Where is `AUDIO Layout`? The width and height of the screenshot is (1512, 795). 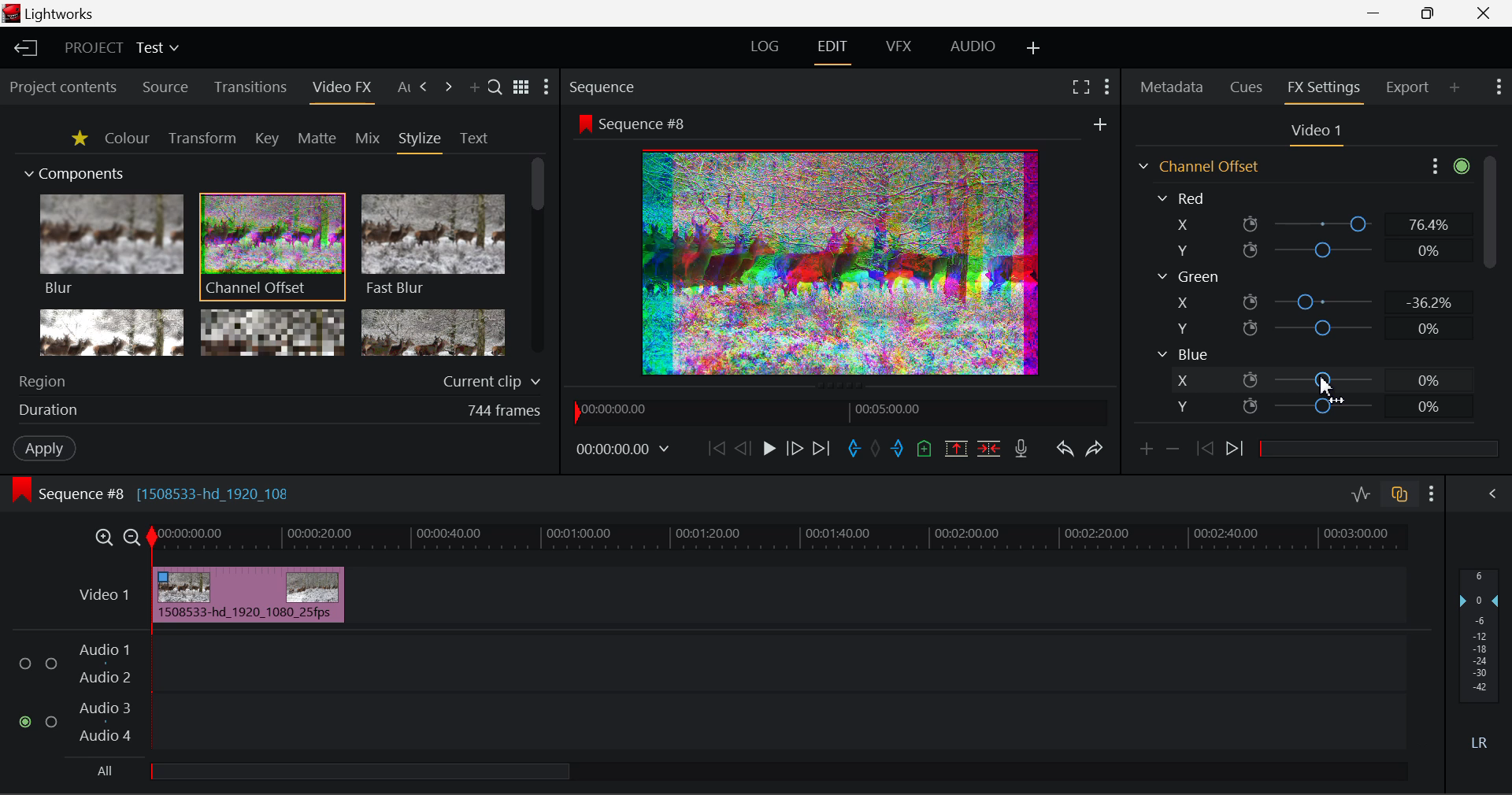 AUDIO Layout is located at coordinates (975, 50).